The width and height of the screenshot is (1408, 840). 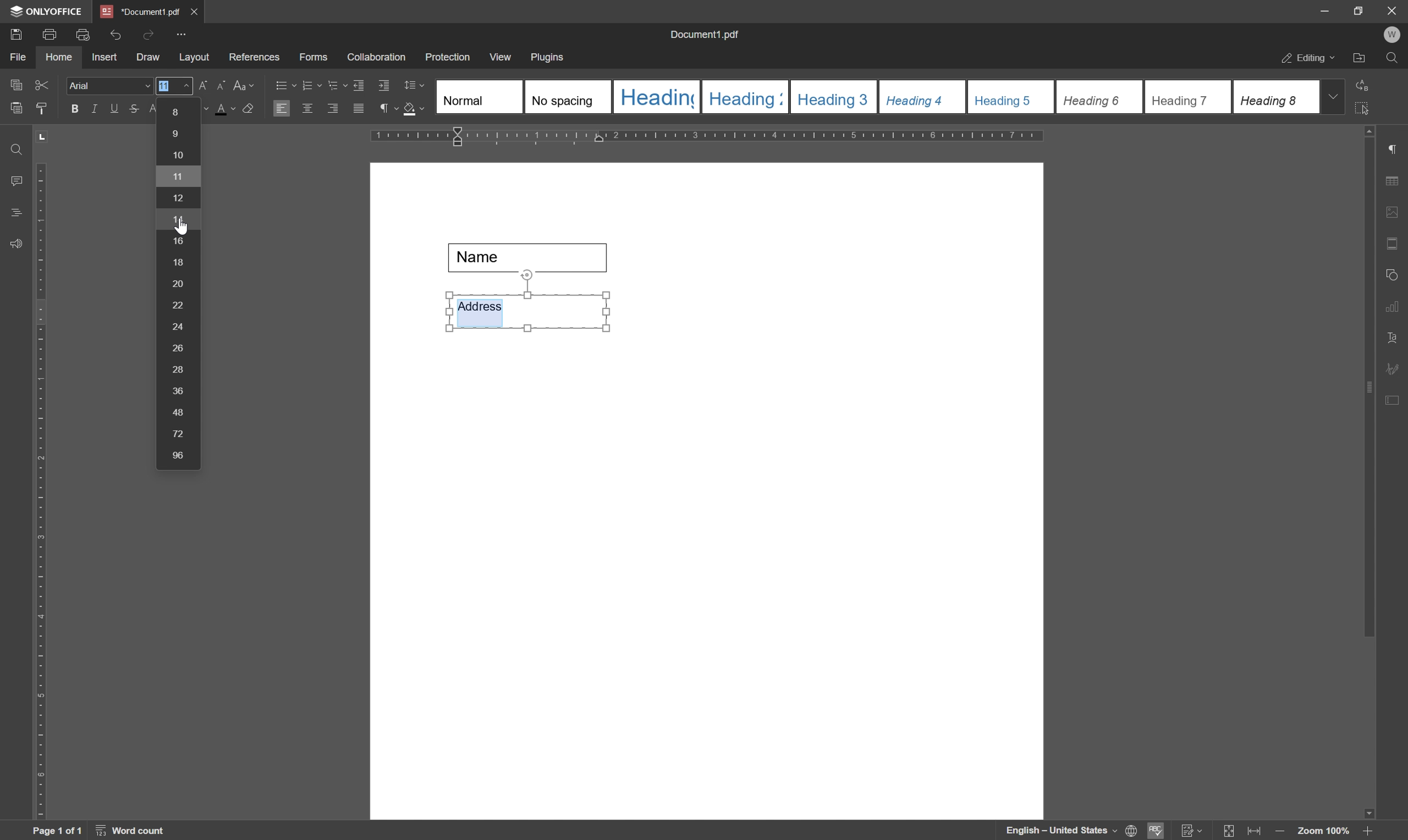 I want to click on close, so click(x=195, y=10).